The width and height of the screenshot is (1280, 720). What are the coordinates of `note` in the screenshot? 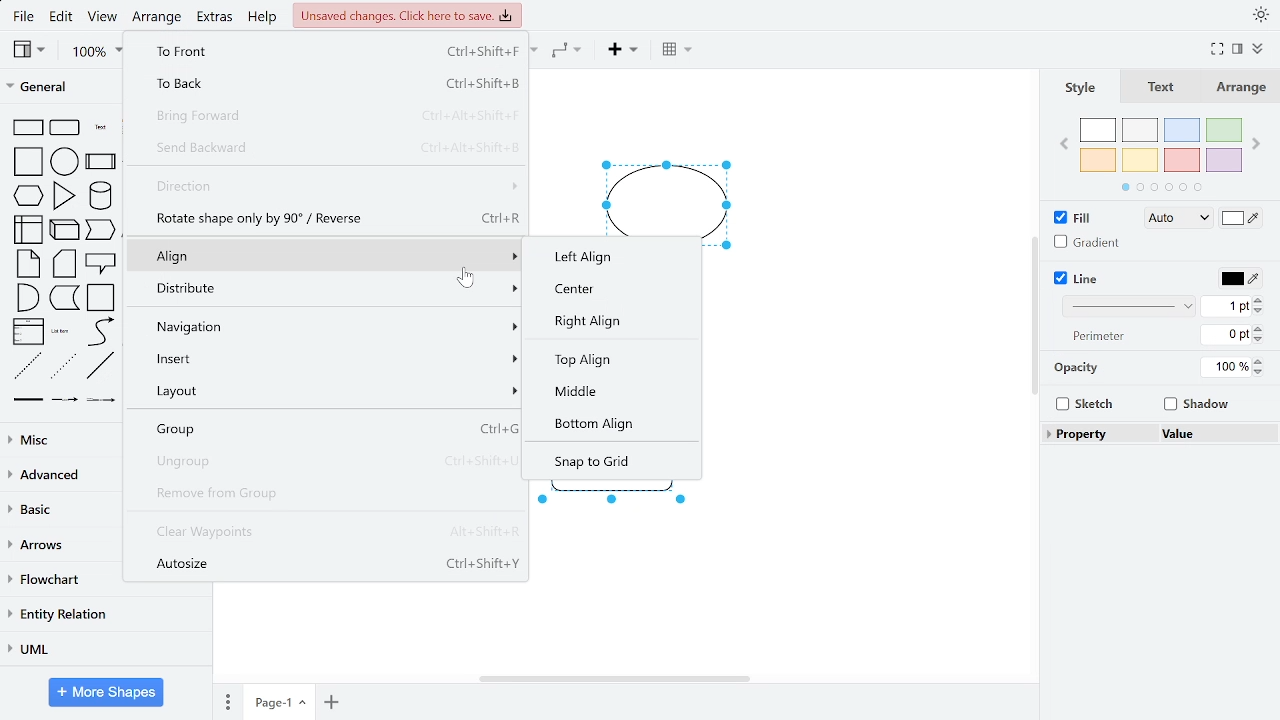 It's located at (28, 264).